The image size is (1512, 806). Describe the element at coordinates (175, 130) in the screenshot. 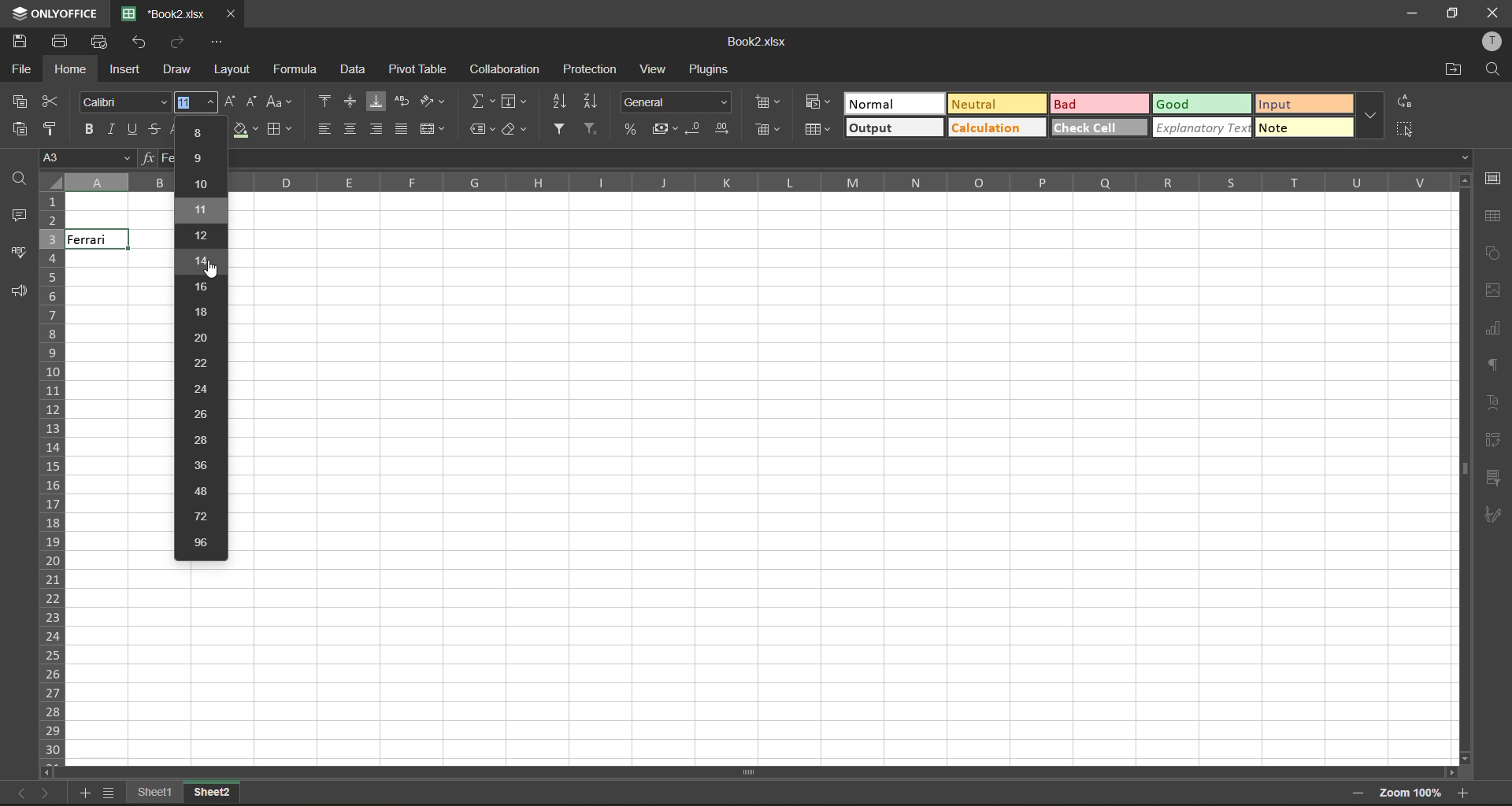

I see `sub/superscript` at that location.